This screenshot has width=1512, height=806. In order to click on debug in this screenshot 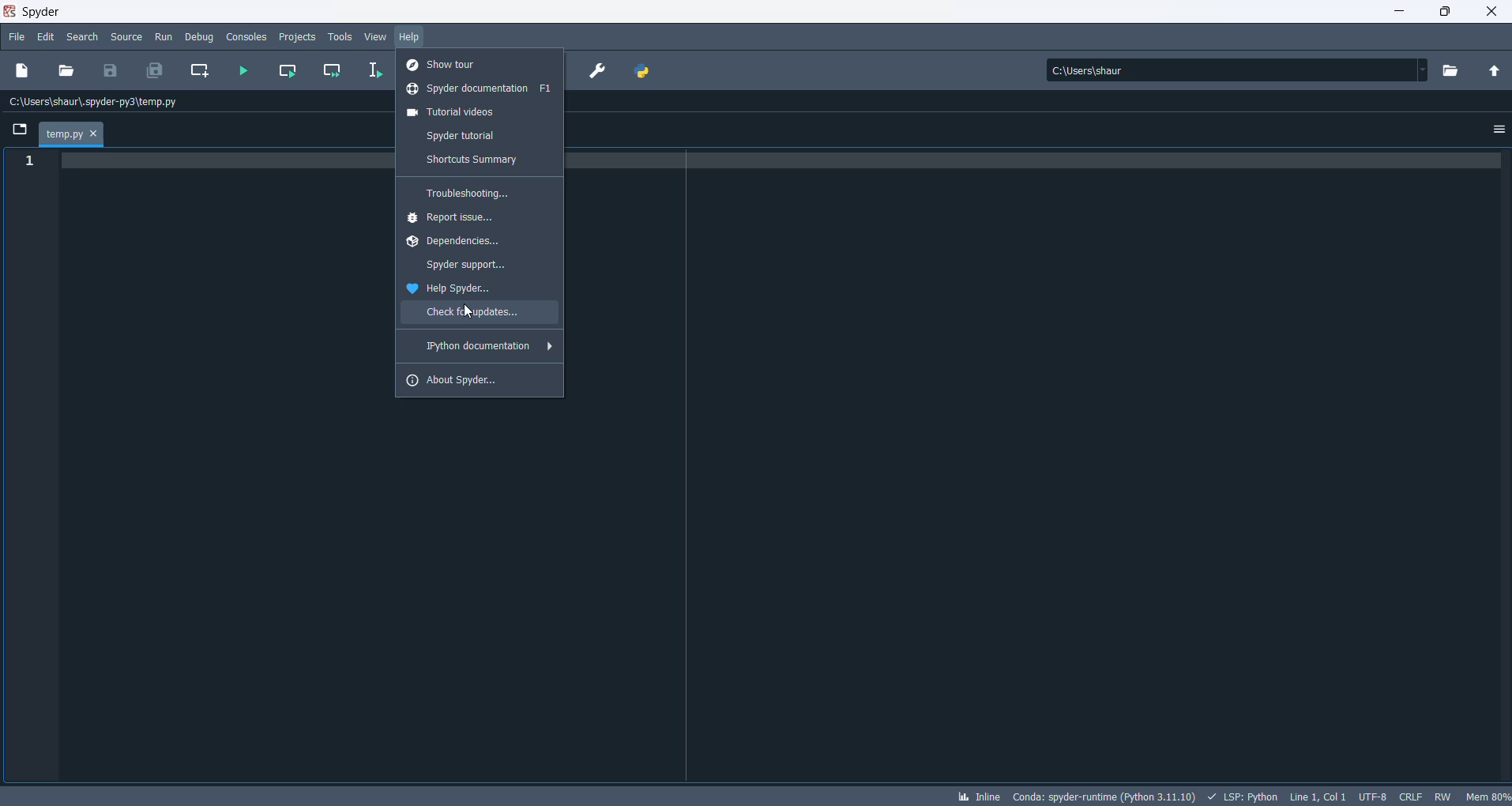, I will do `click(200, 37)`.